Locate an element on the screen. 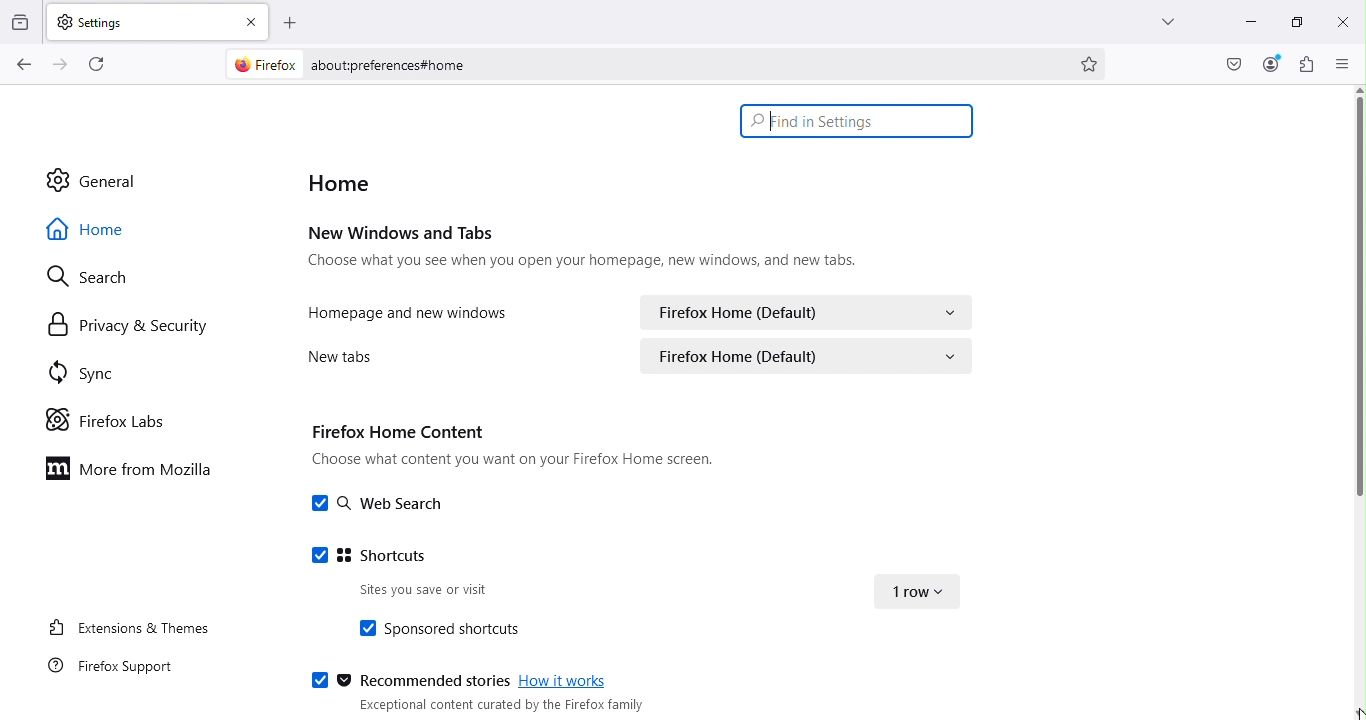  Sponsored shortcuts is located at coordinates (436, 629).